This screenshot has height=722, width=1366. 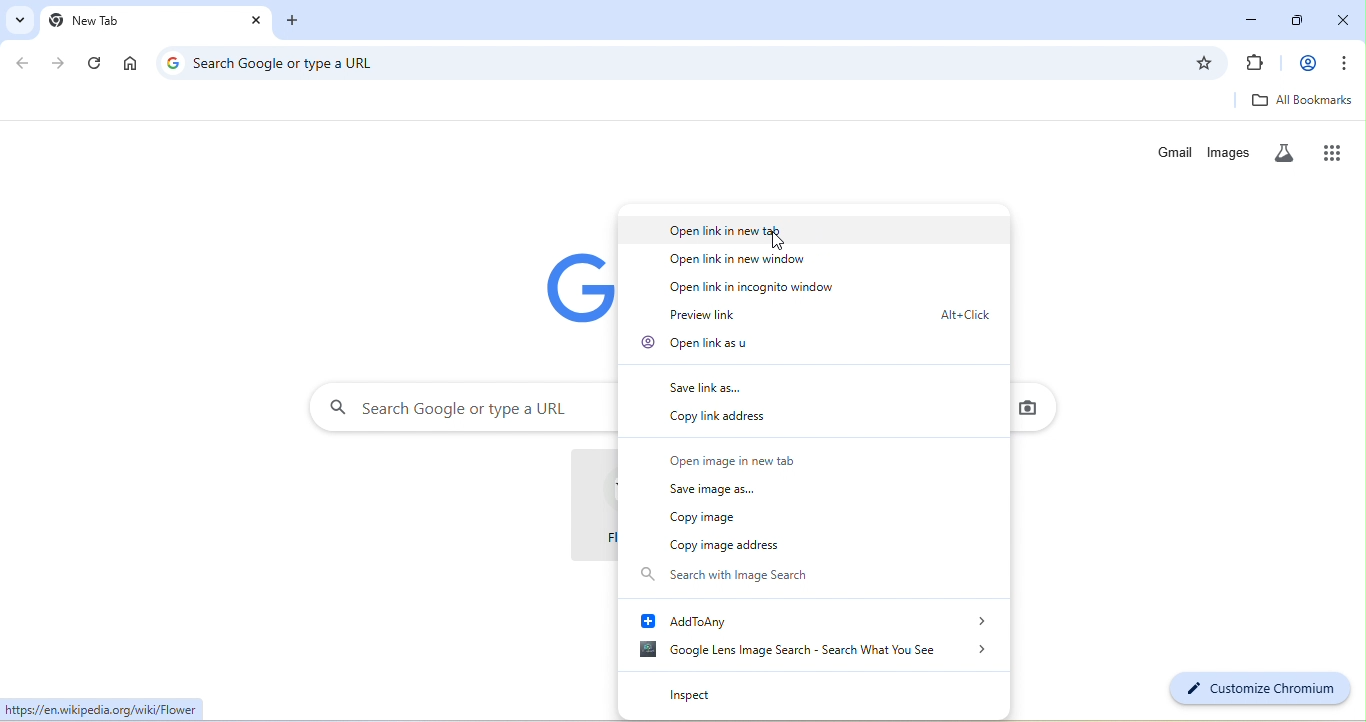 What do you see at coordinates (746, 259) in the screenshot?
I see `open link in new window` at bounding box center [746, 259].